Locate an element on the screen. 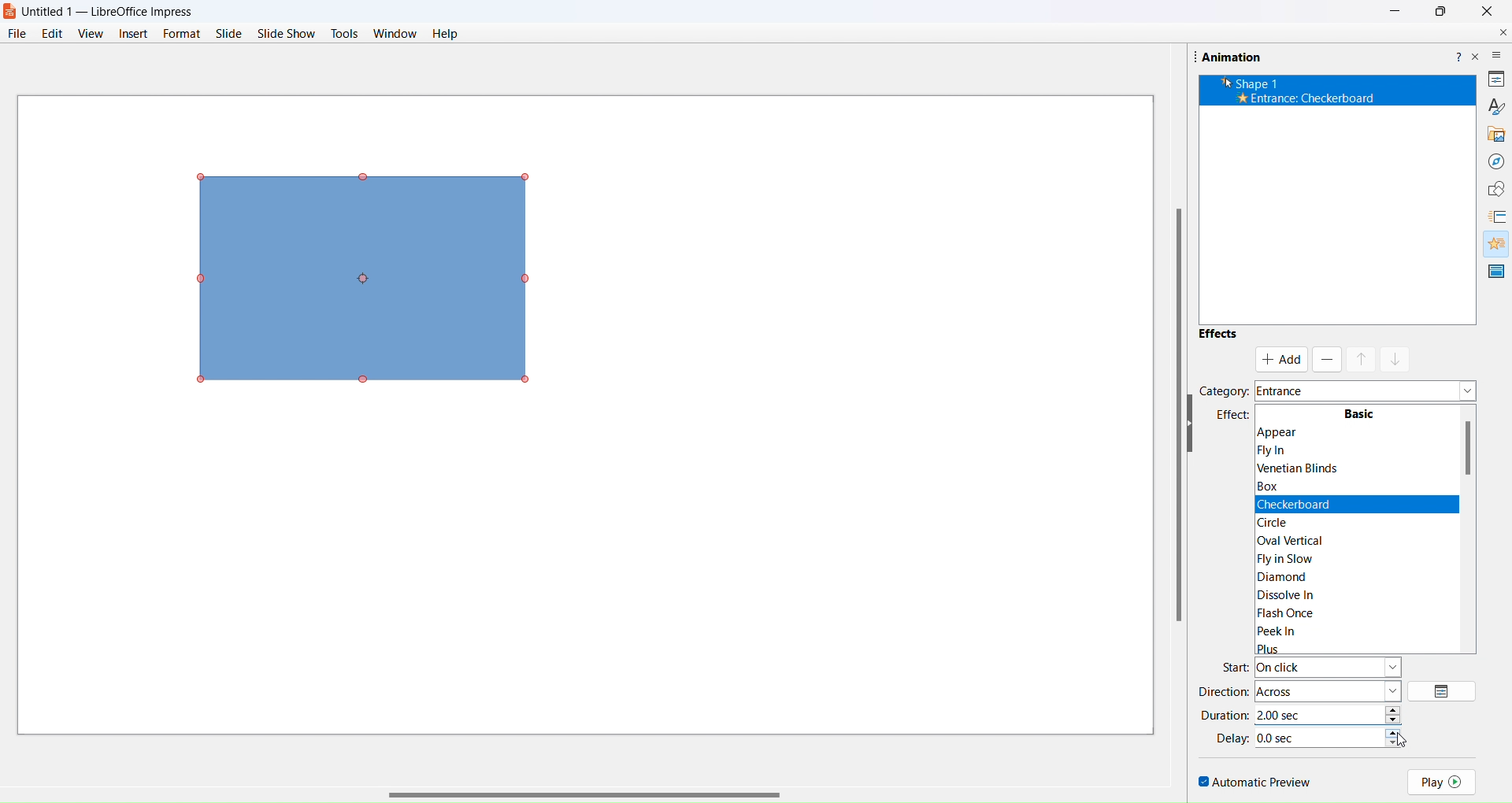 The width and height of the screenshot is (1512, 803). file is located at coordinates (18, 33).